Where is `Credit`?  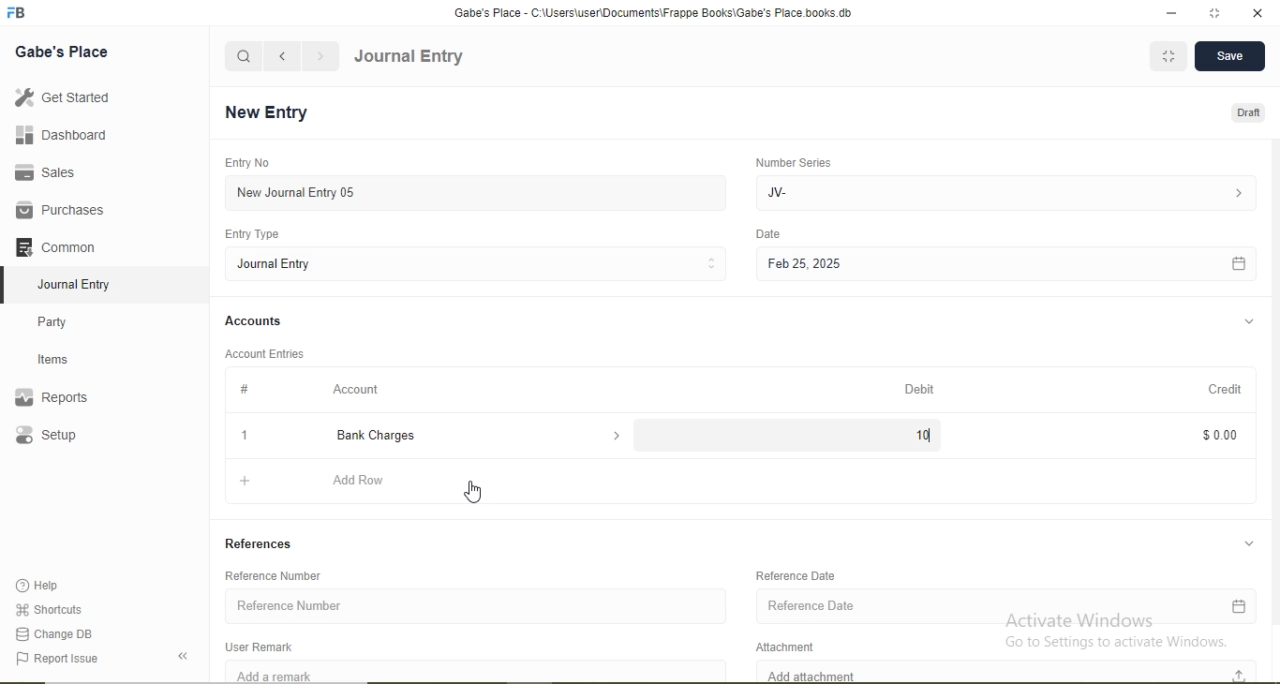 Credit is located at coordinates (1219, 388).